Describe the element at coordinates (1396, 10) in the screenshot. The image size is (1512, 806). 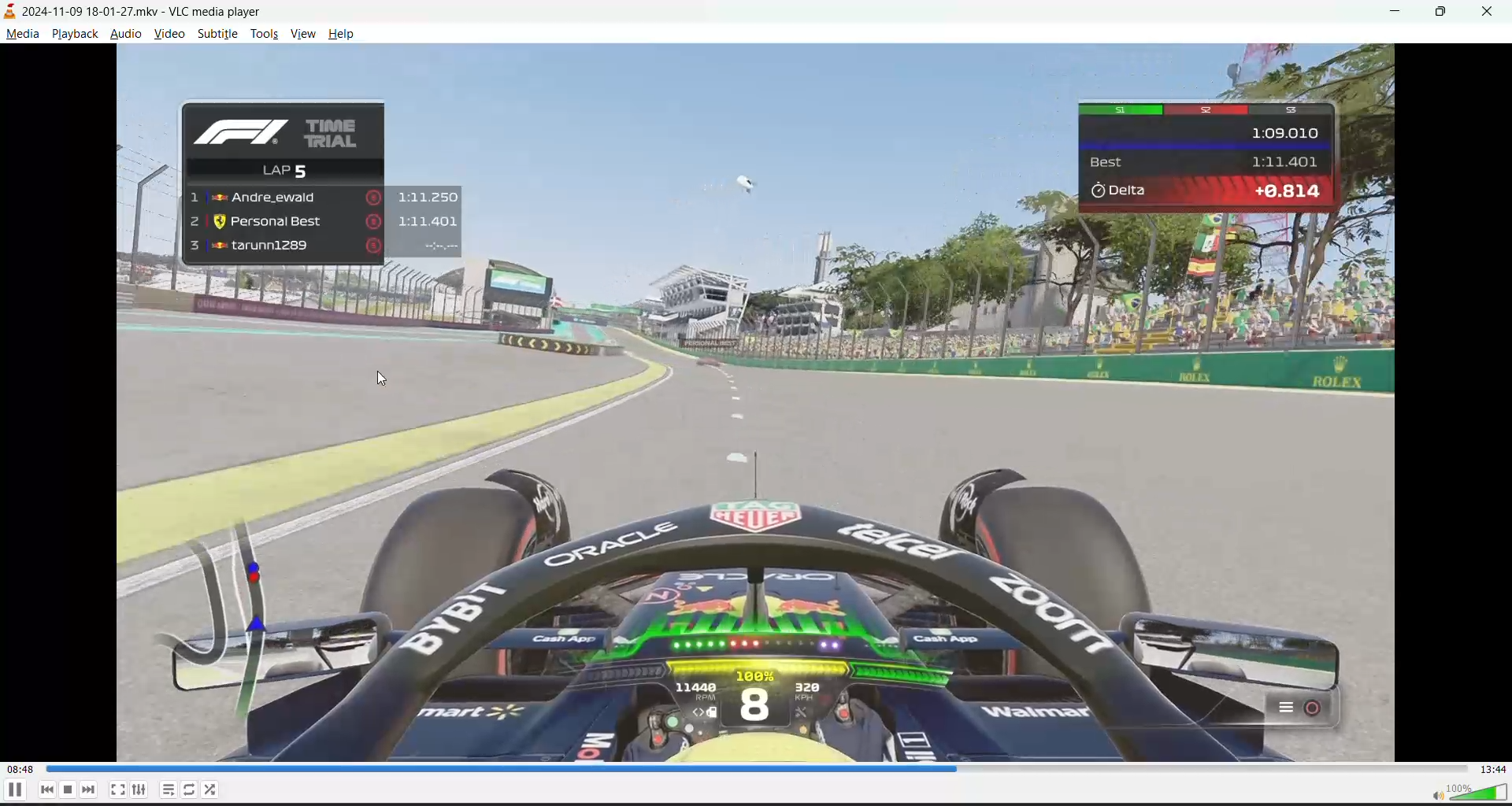
I see `minimize` at that location.